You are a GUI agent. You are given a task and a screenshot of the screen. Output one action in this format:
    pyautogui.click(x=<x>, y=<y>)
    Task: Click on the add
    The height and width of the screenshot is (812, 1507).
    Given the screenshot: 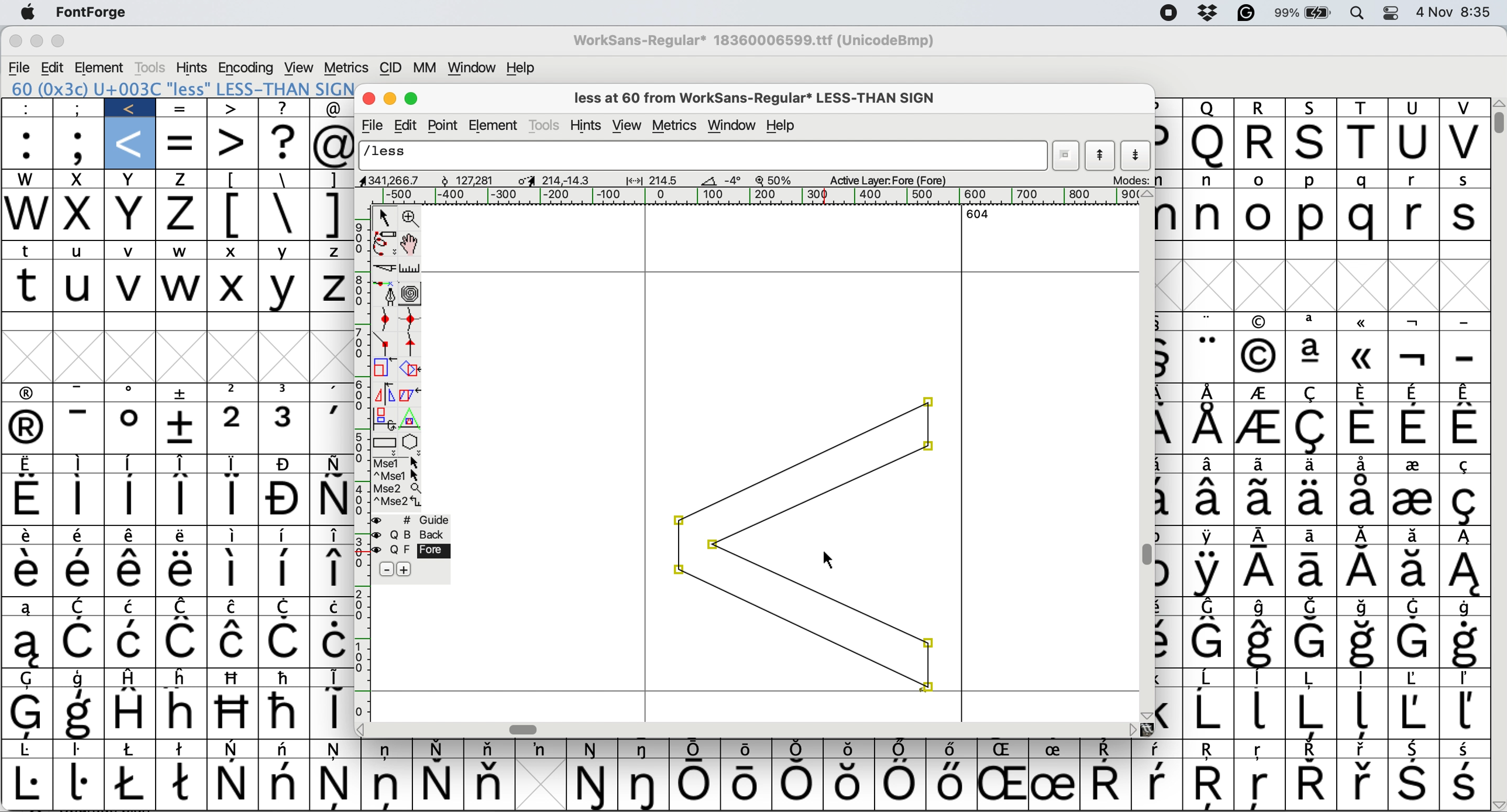 What is the action you would take?
    pyautogui.click(x=405, y=569)
    